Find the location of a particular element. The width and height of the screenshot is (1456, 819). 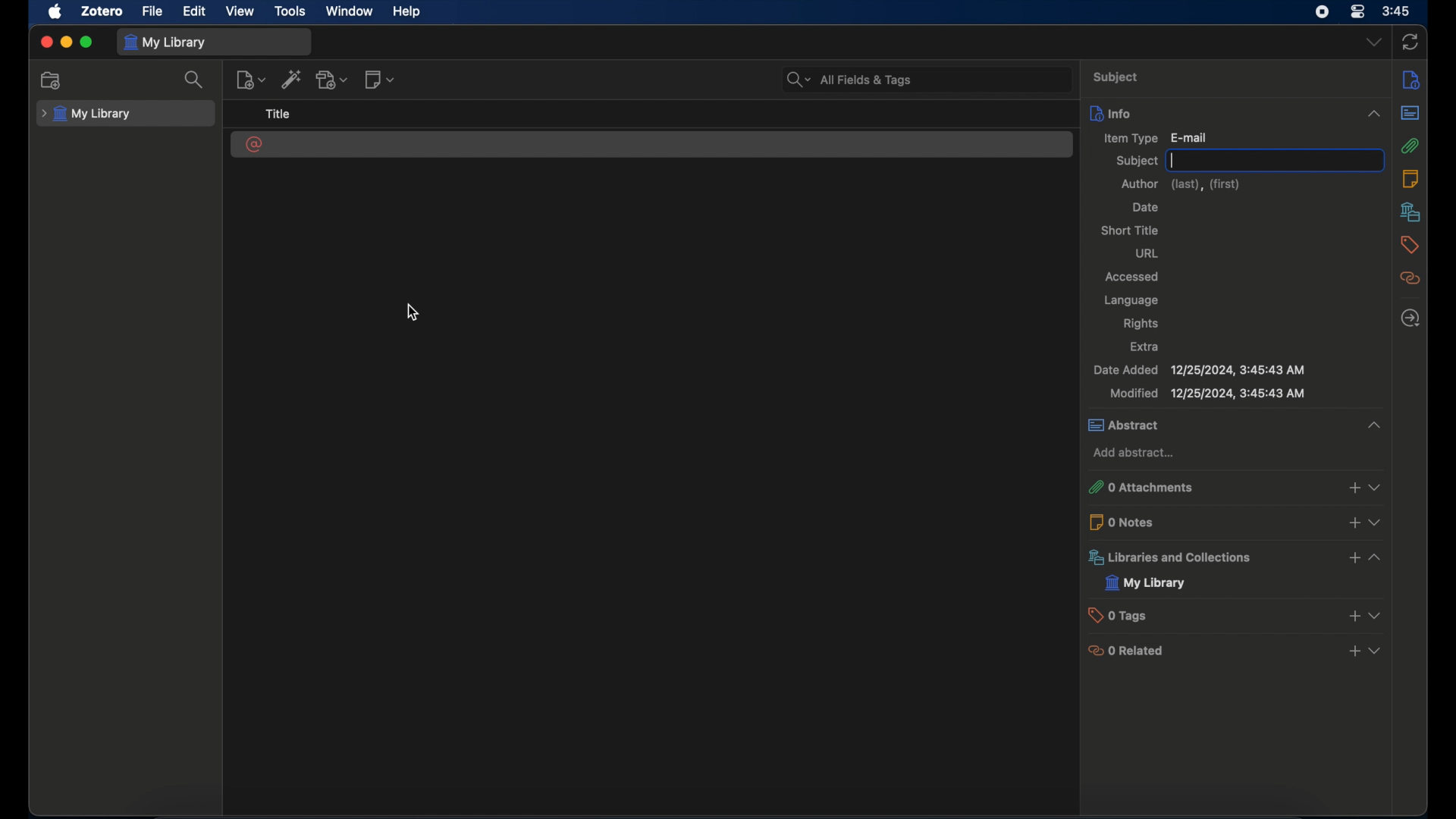

locate is located at coordinates (1409, 318).